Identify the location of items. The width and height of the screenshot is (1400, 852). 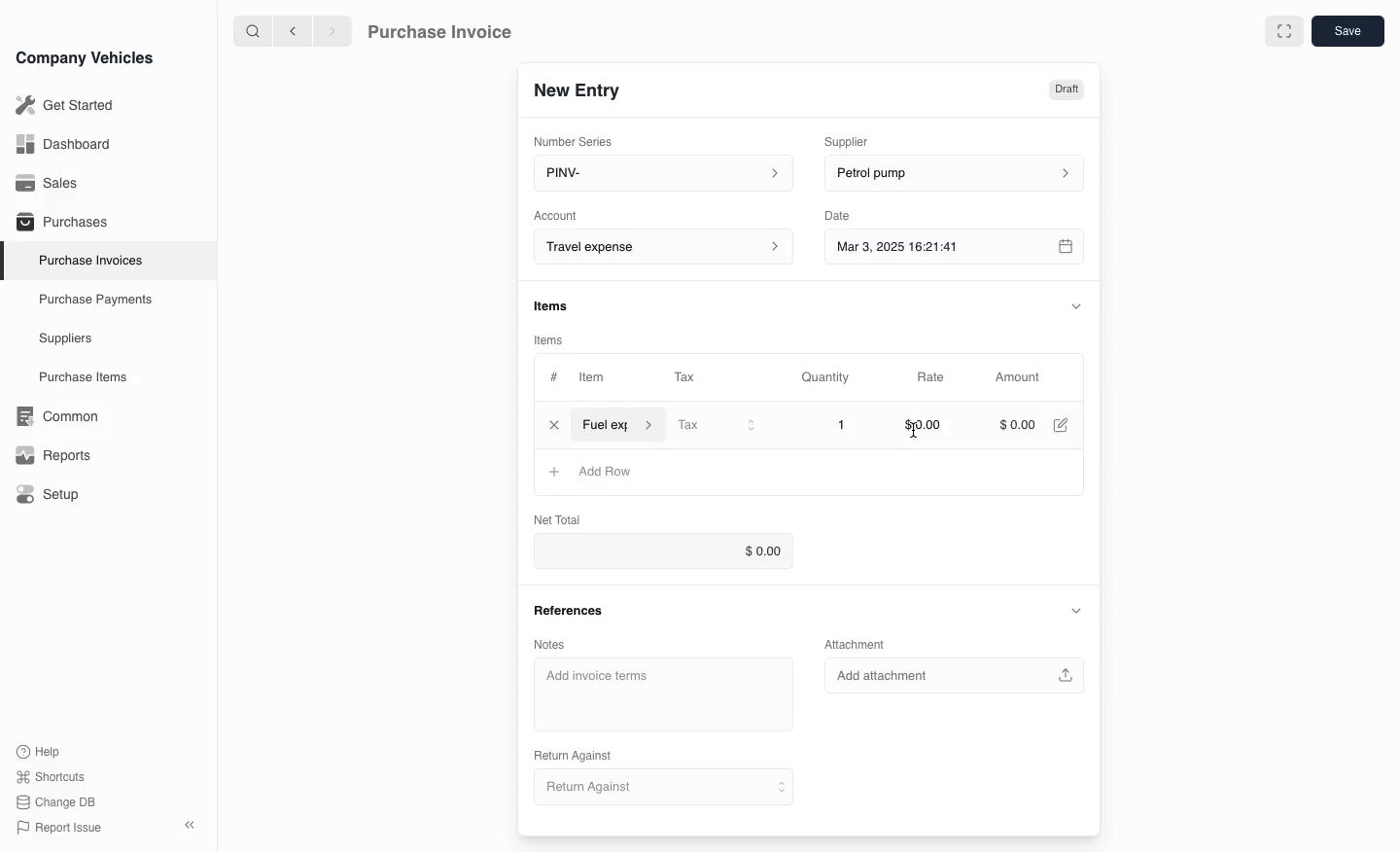
(553, 307).